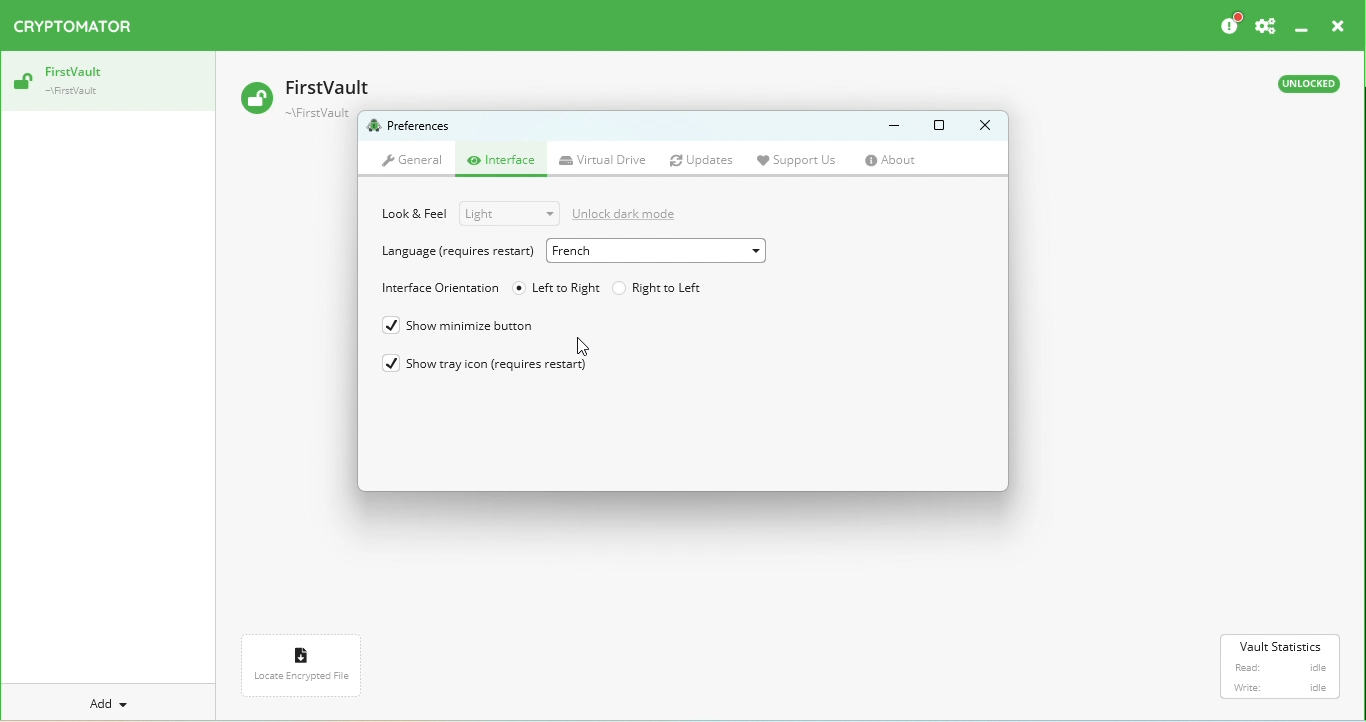 The width and height of the screenshot is (1366, 722). What do you see at coordinates (506, 162) in the screenshot?
I see `Interface` at bounding box center [506, 162].